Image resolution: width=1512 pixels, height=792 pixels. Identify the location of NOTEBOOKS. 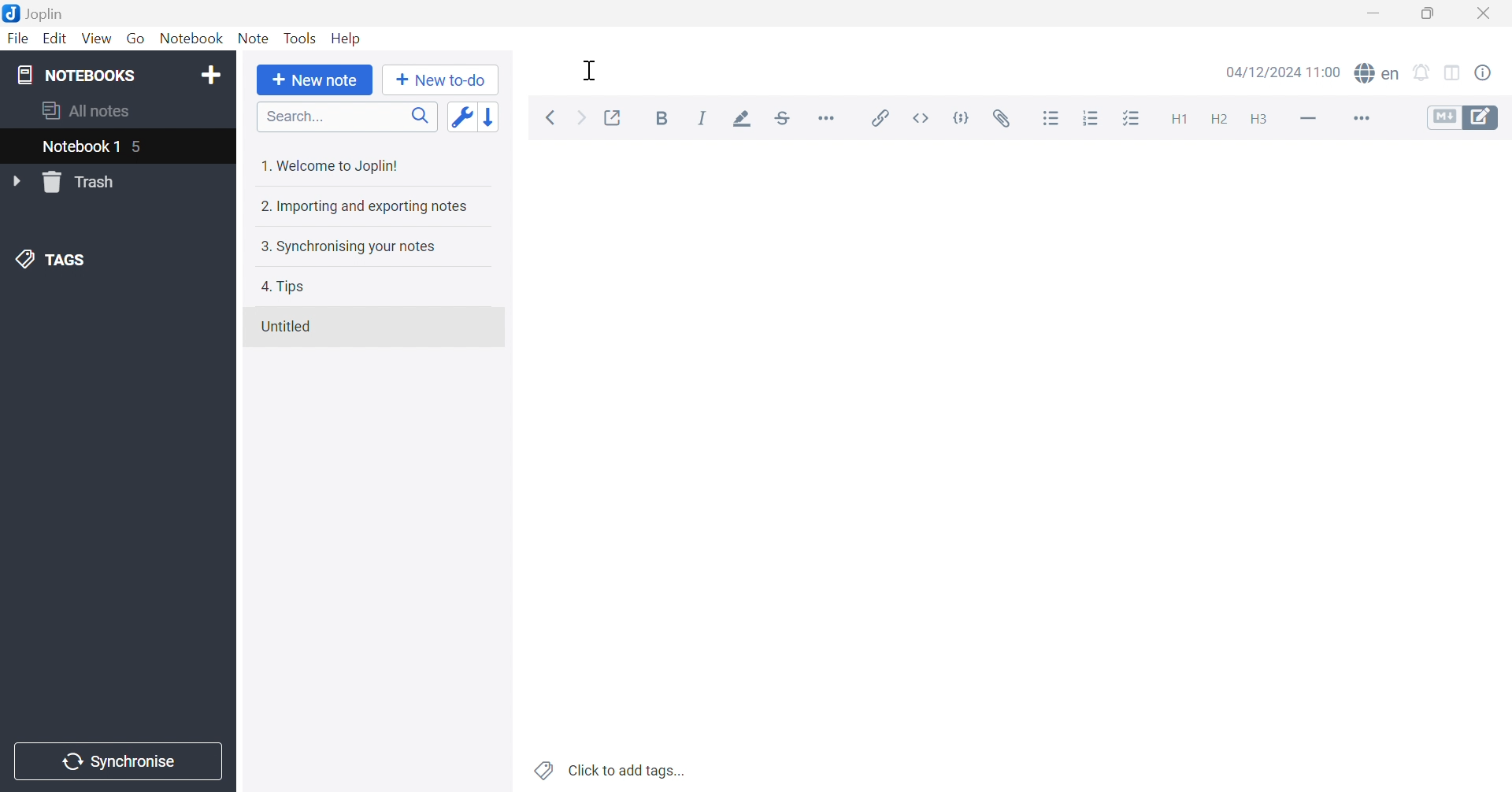
(79, 76).